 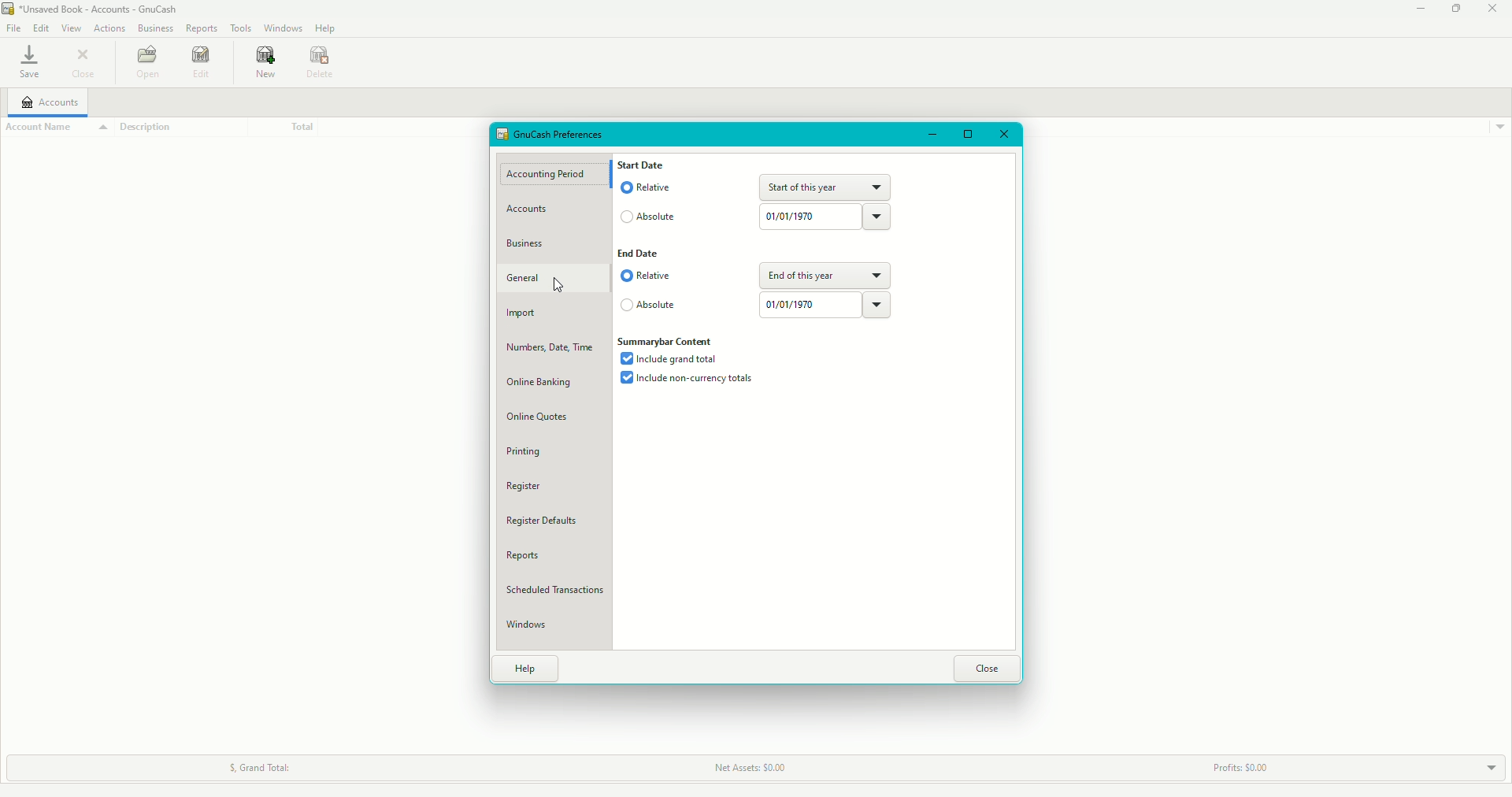 What do you see at coordinates (541, 383) in the screenshot?
I see `Online banking` at bounding box center [541, 383].